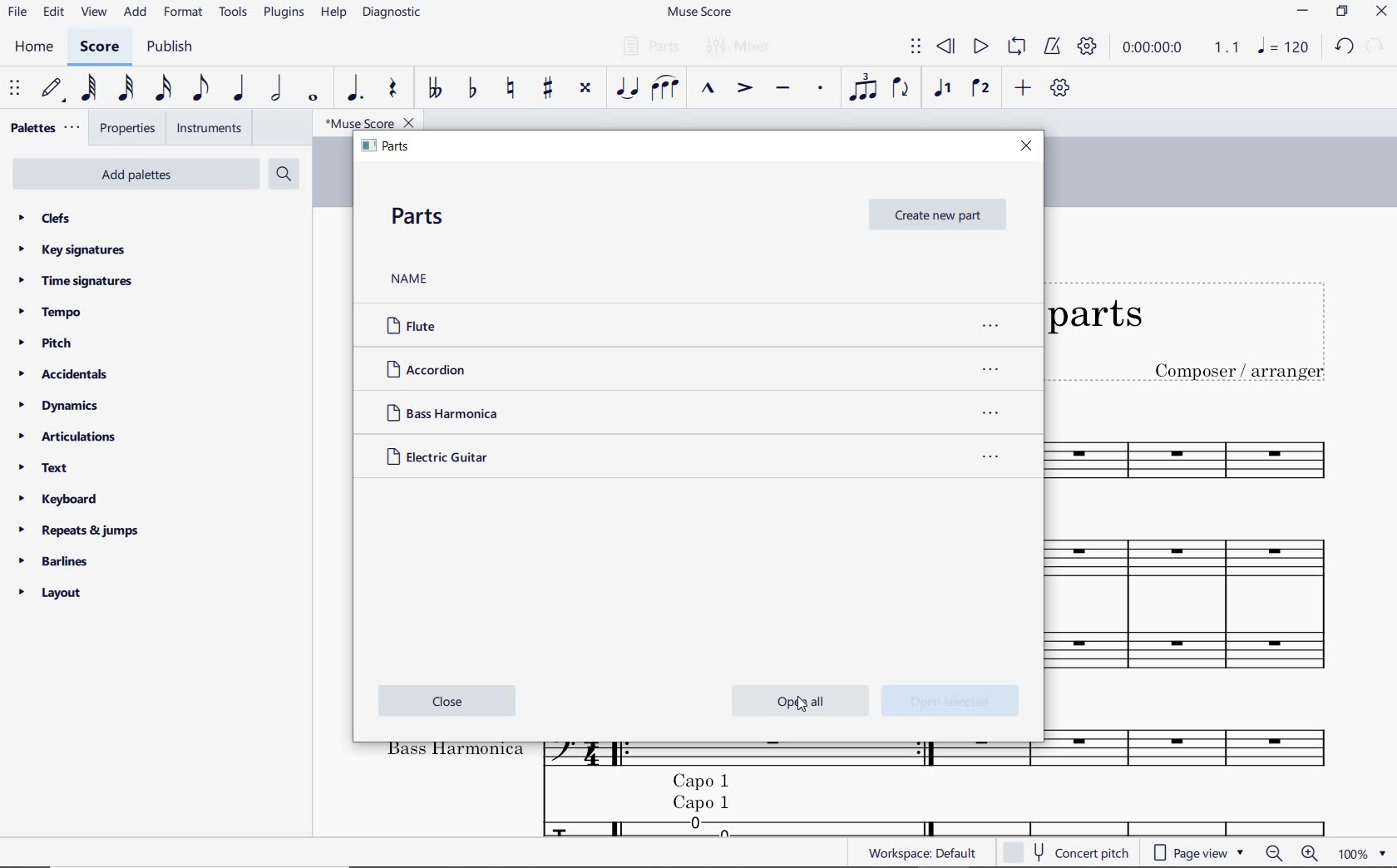  Describe the element at coordinates (864, 88) in the screenshot. I see `tuplet` at that location.